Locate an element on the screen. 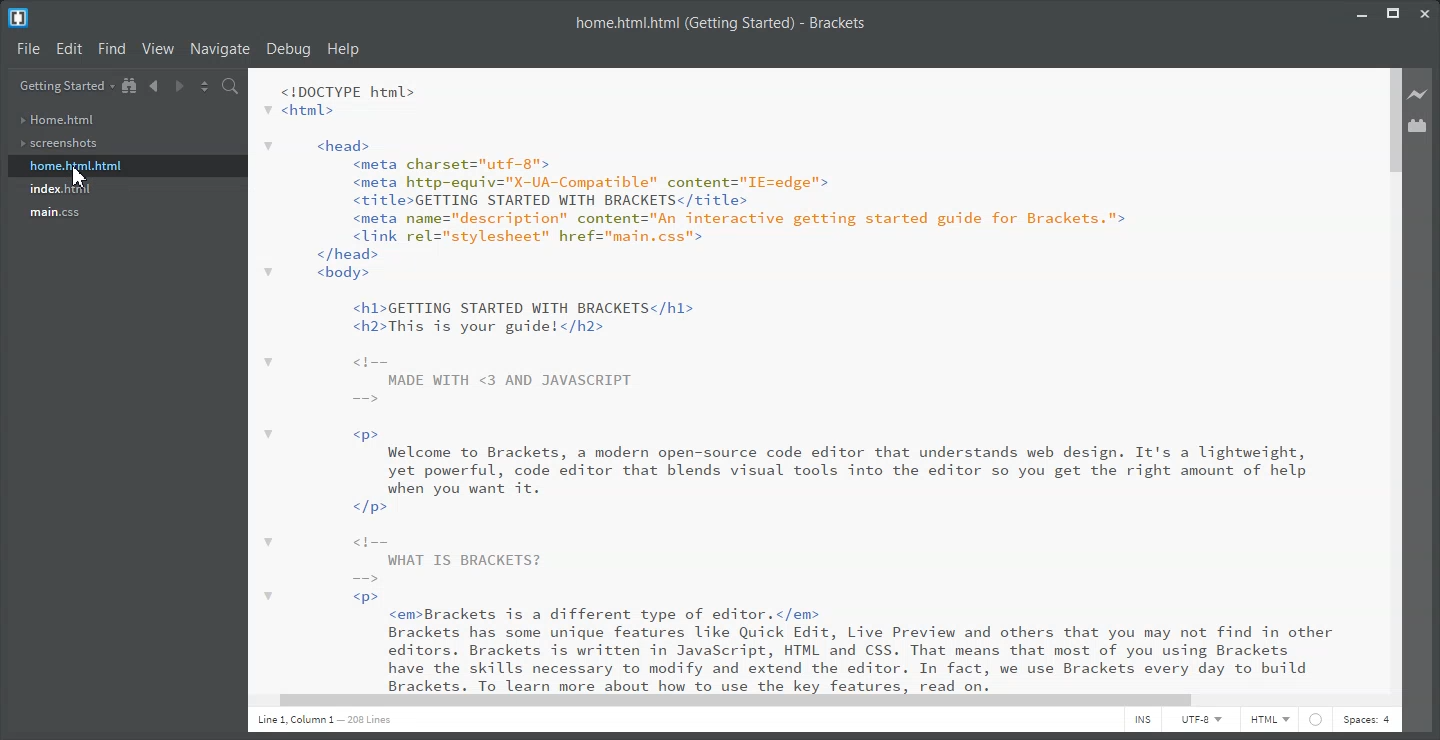  cursor is located at coordinates (79, 180).